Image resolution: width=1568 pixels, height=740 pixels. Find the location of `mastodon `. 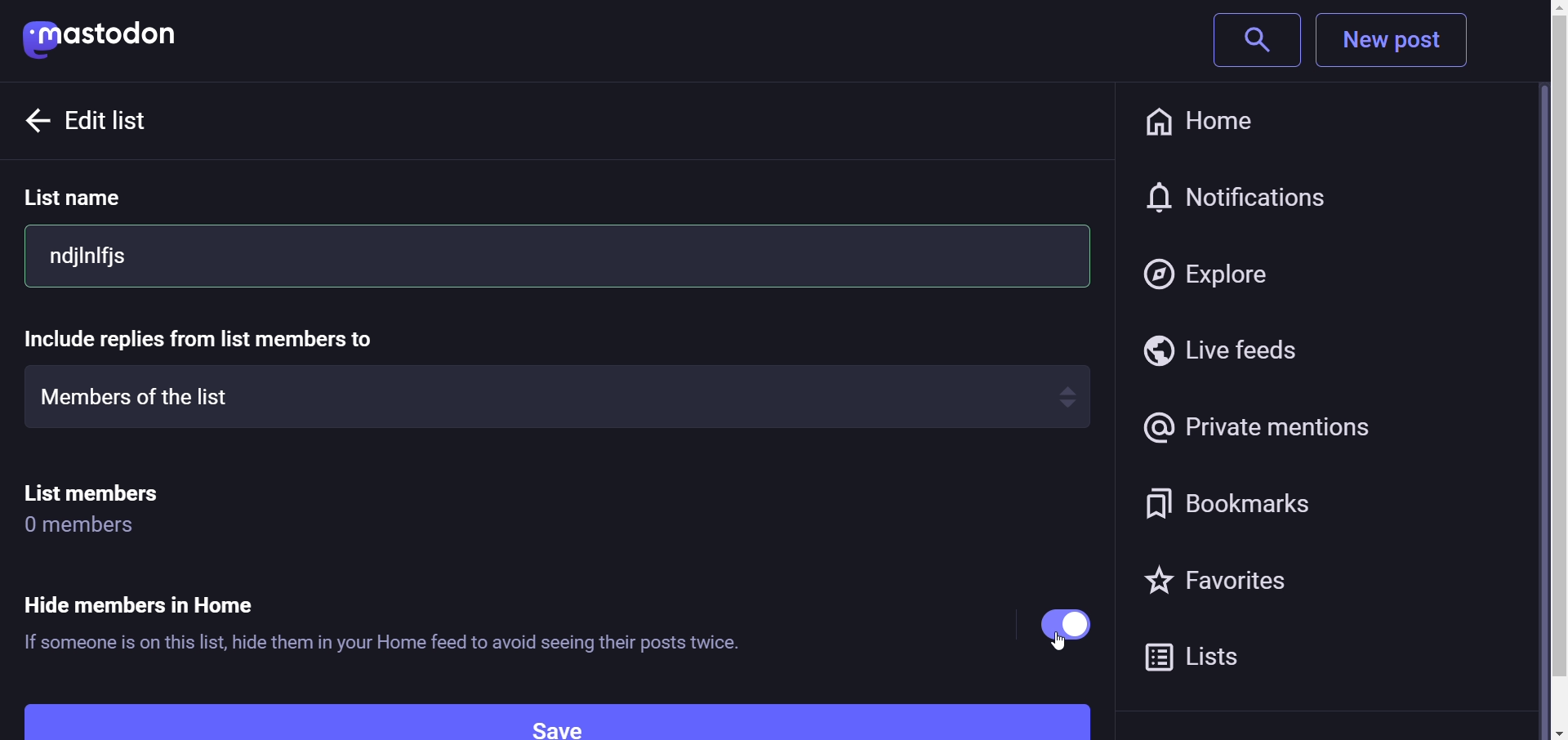

mastodon  is located at coordinates (112, 34).